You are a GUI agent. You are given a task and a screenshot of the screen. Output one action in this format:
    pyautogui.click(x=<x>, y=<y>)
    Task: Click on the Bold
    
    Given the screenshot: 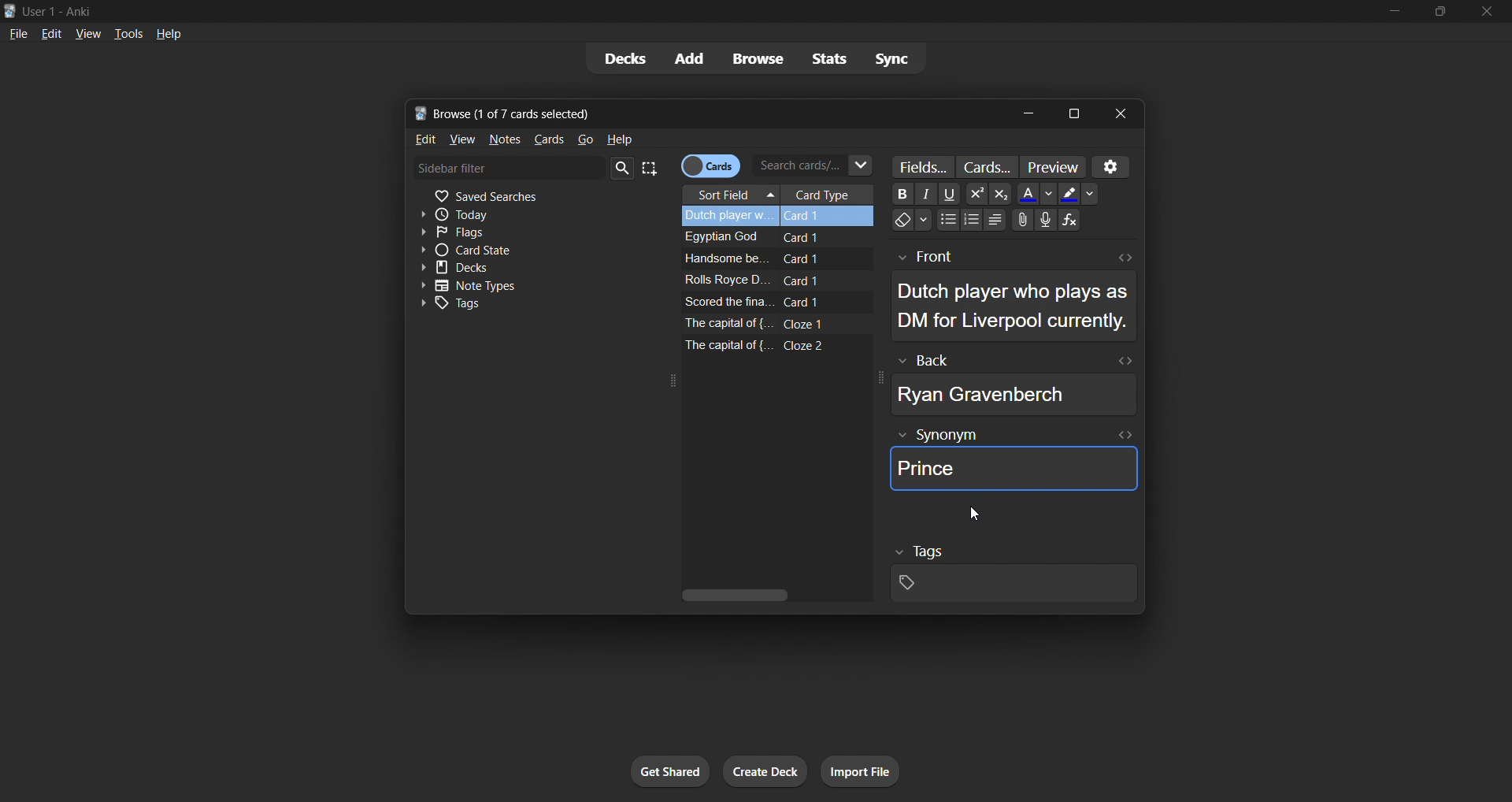 What is the action you would take?
    pyautogui.click(x=895, y=191)
    